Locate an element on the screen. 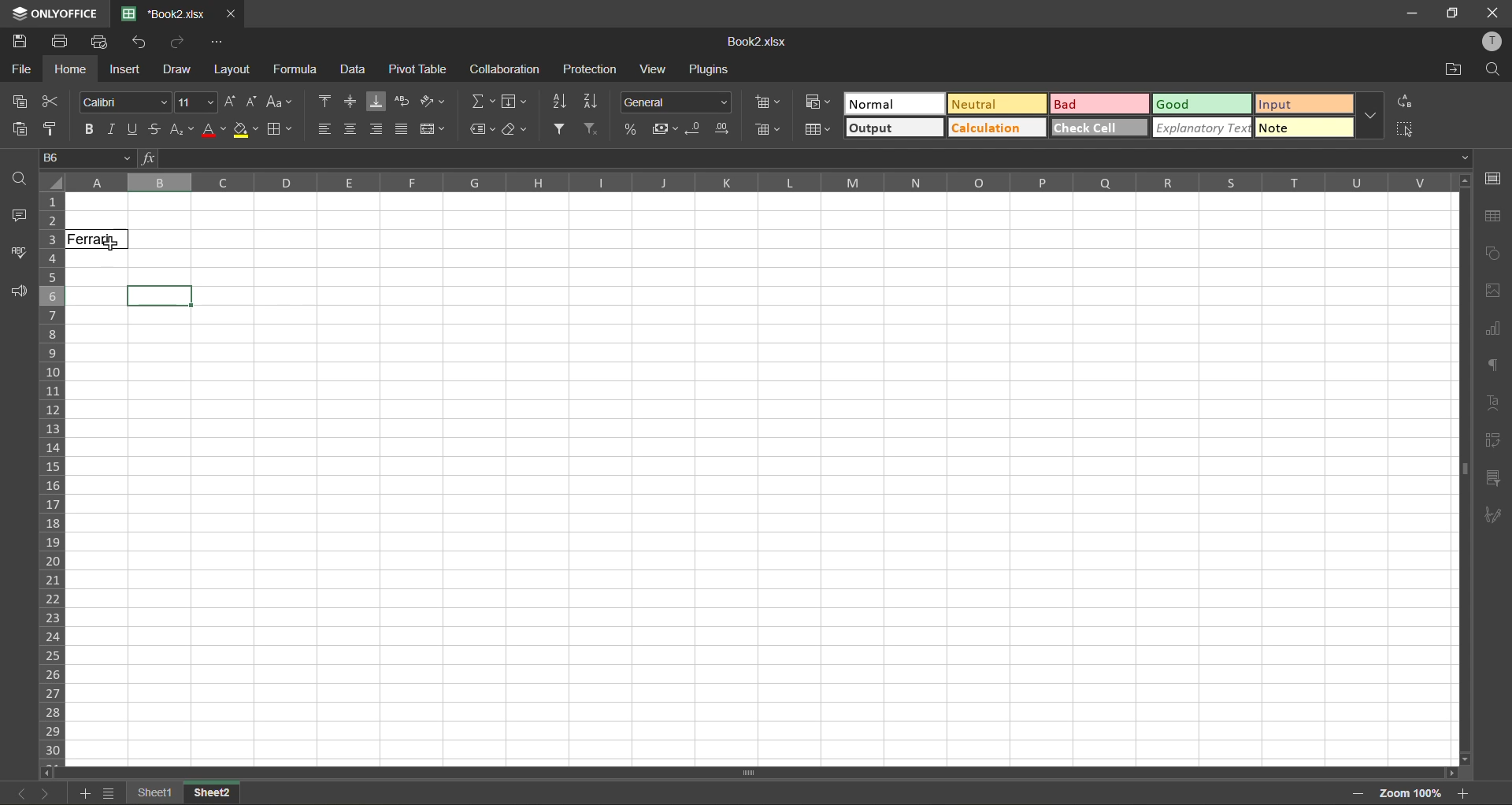 The height and width of the screenshot is (805, 1512). decrease decimal is located at coordinates (695, 129).